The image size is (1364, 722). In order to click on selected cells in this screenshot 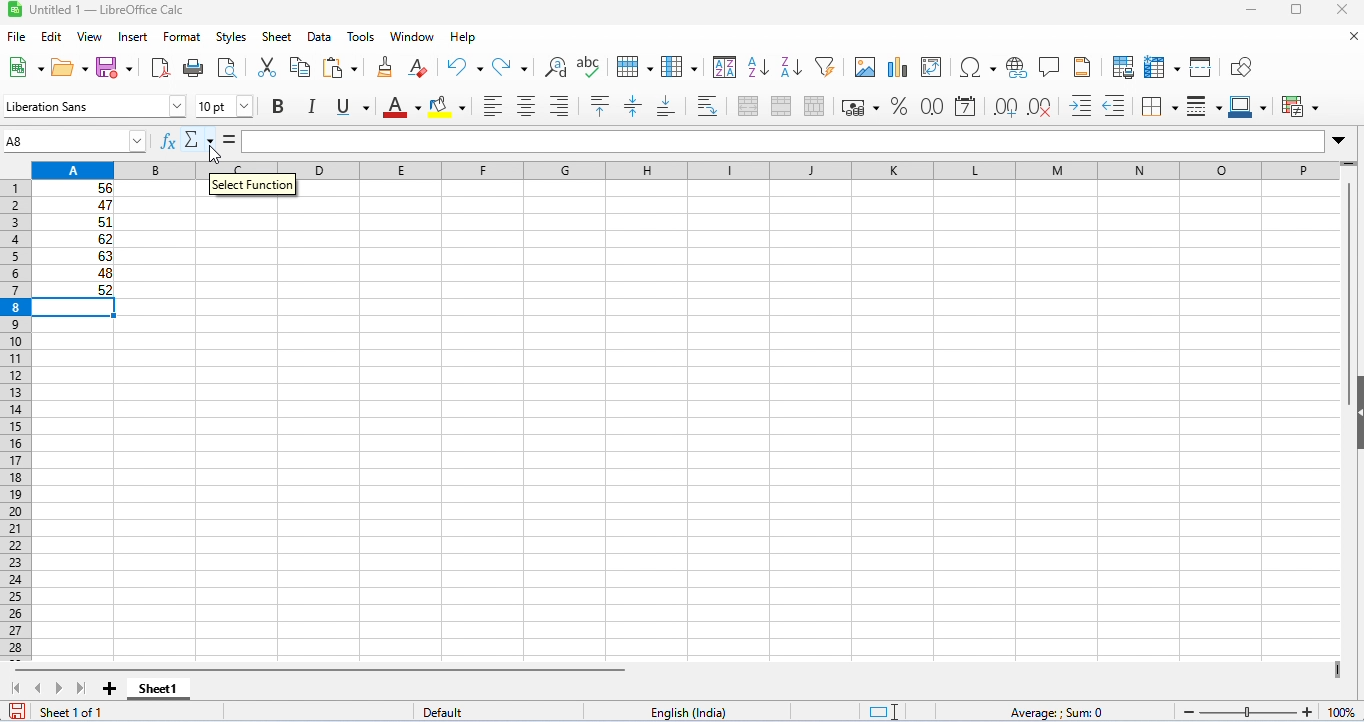, I will do `click(76, 308)`.